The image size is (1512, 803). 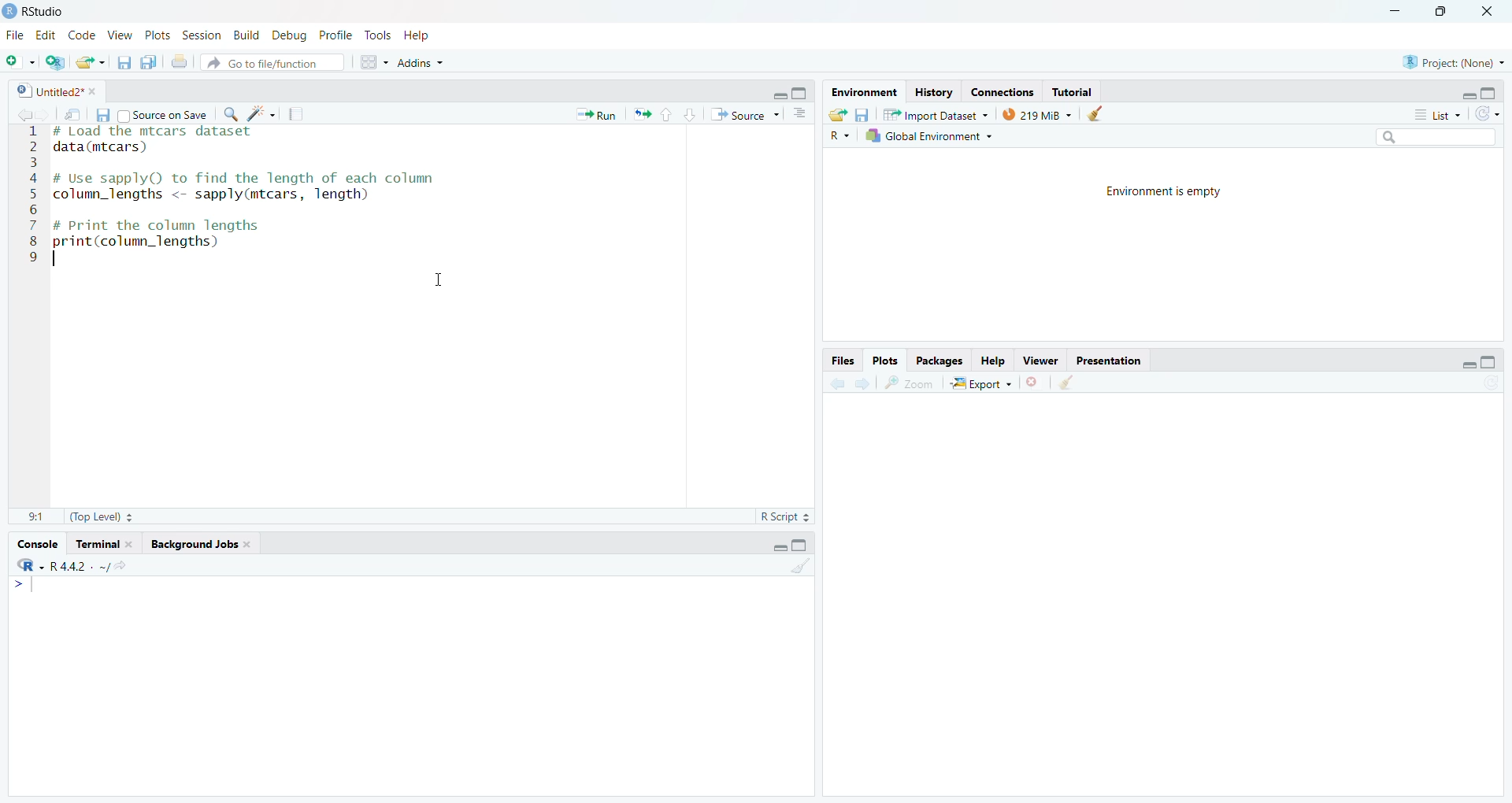 What do you see at coordinates (45, 116) in the screenshot?
I see `Go to next source location` at bounding box center [45, 116].